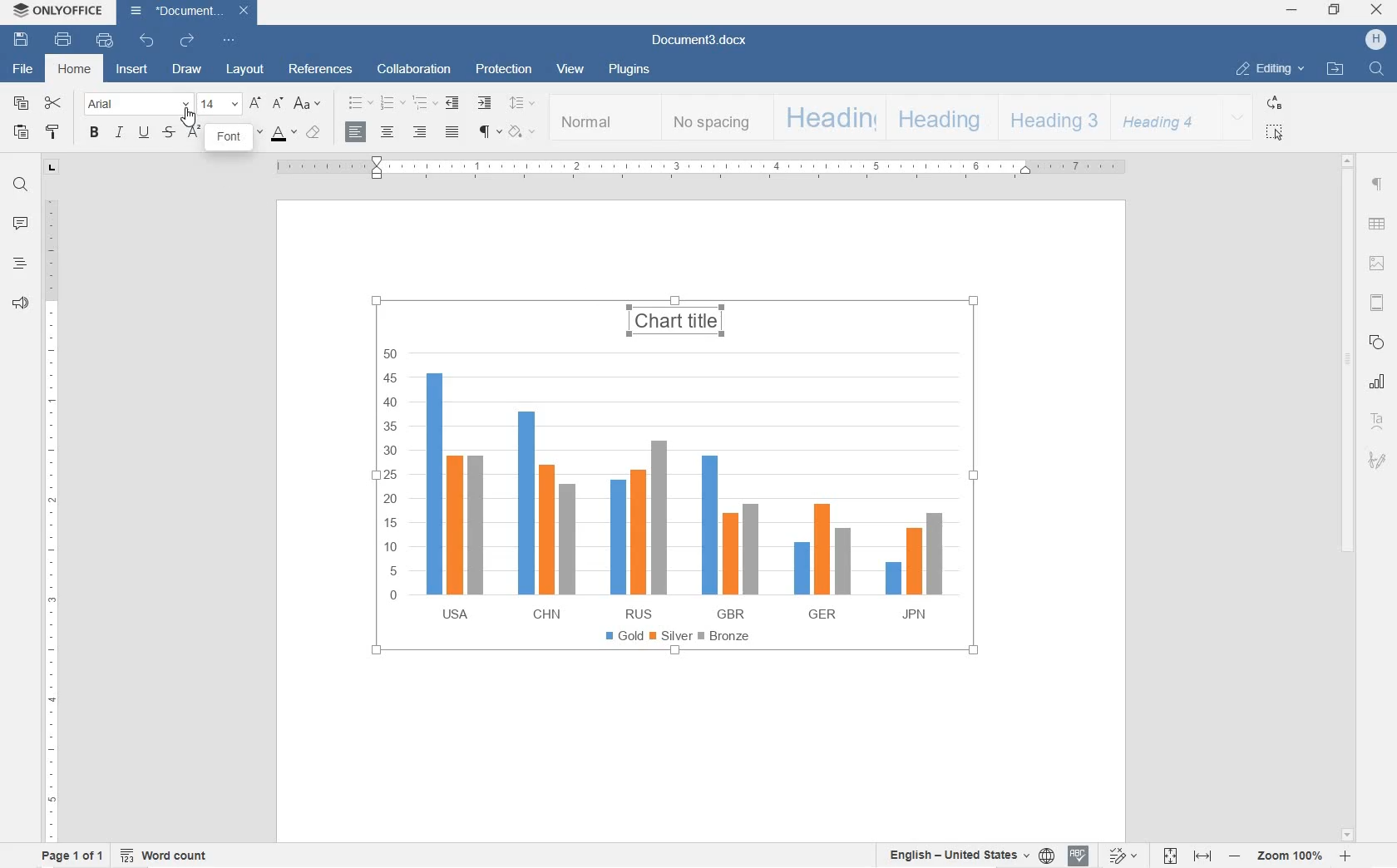  Describe the element at coordinates (20, 104) in the screenshot. I see `COPY` at that location.